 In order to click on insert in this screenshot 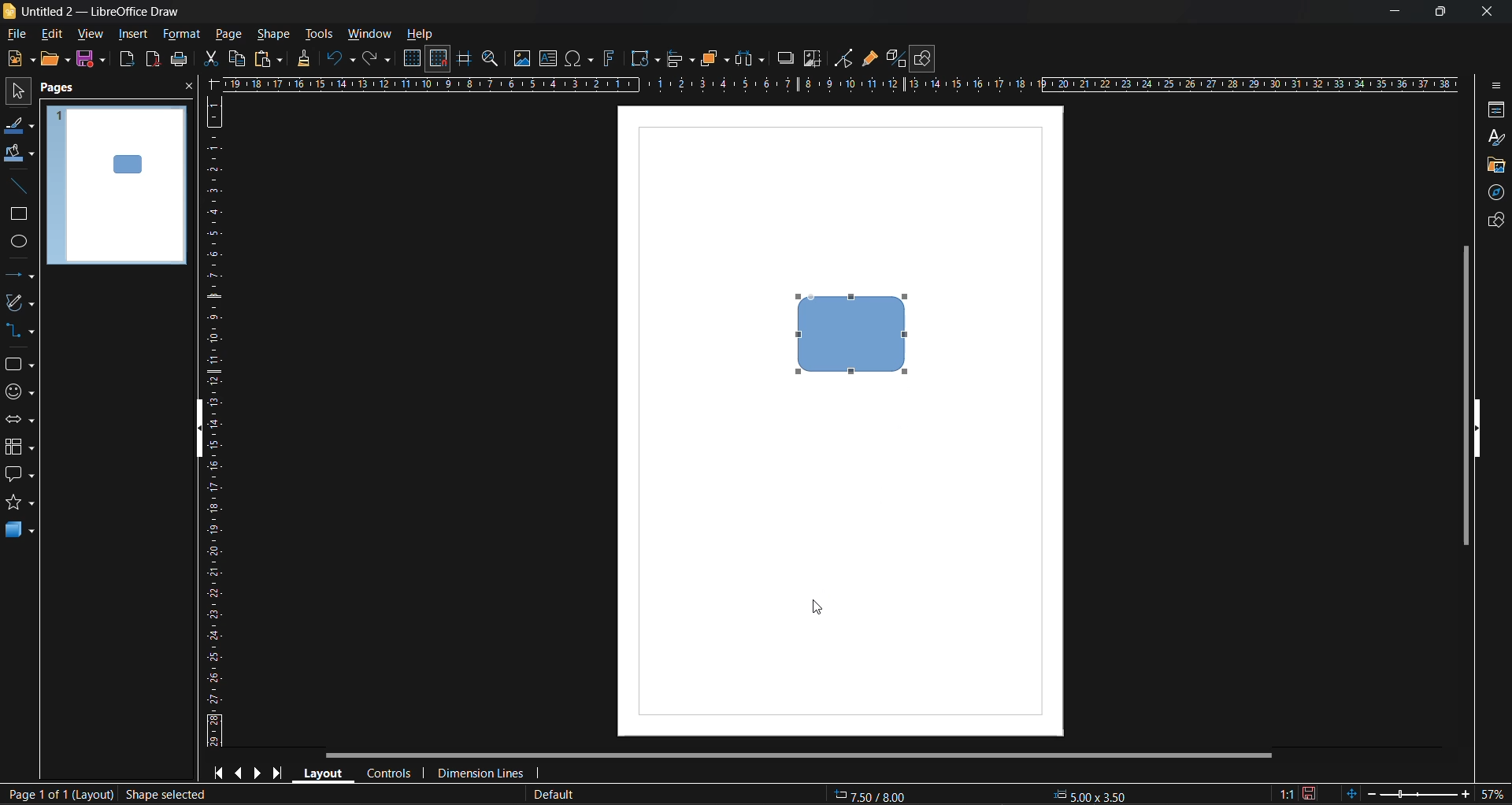, I will do `click(130, 34)`.